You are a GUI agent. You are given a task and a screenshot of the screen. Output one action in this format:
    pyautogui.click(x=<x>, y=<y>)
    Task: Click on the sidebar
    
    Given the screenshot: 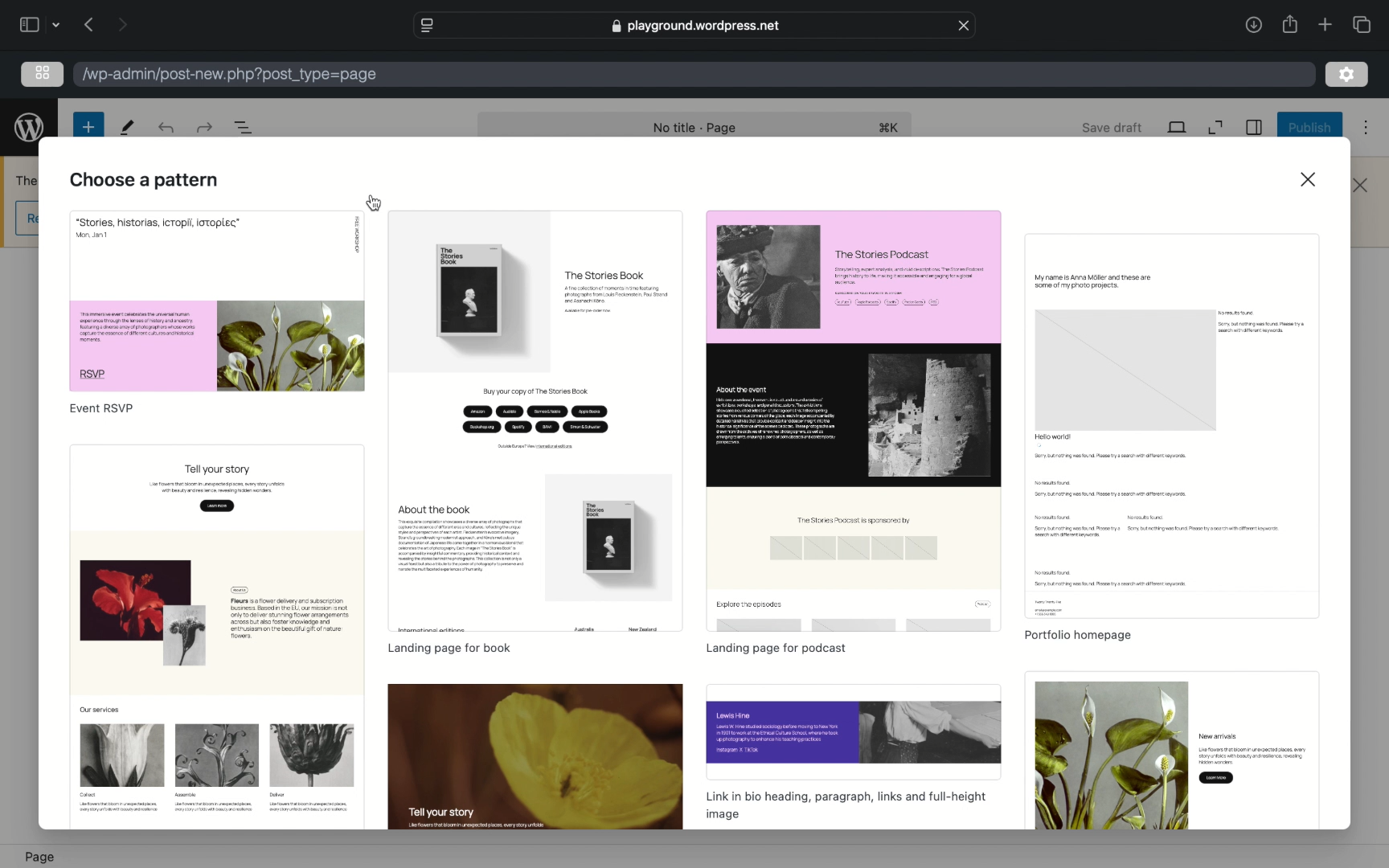 What is the action you would take?
    pyautogui.click(x=1252, y=128)
    